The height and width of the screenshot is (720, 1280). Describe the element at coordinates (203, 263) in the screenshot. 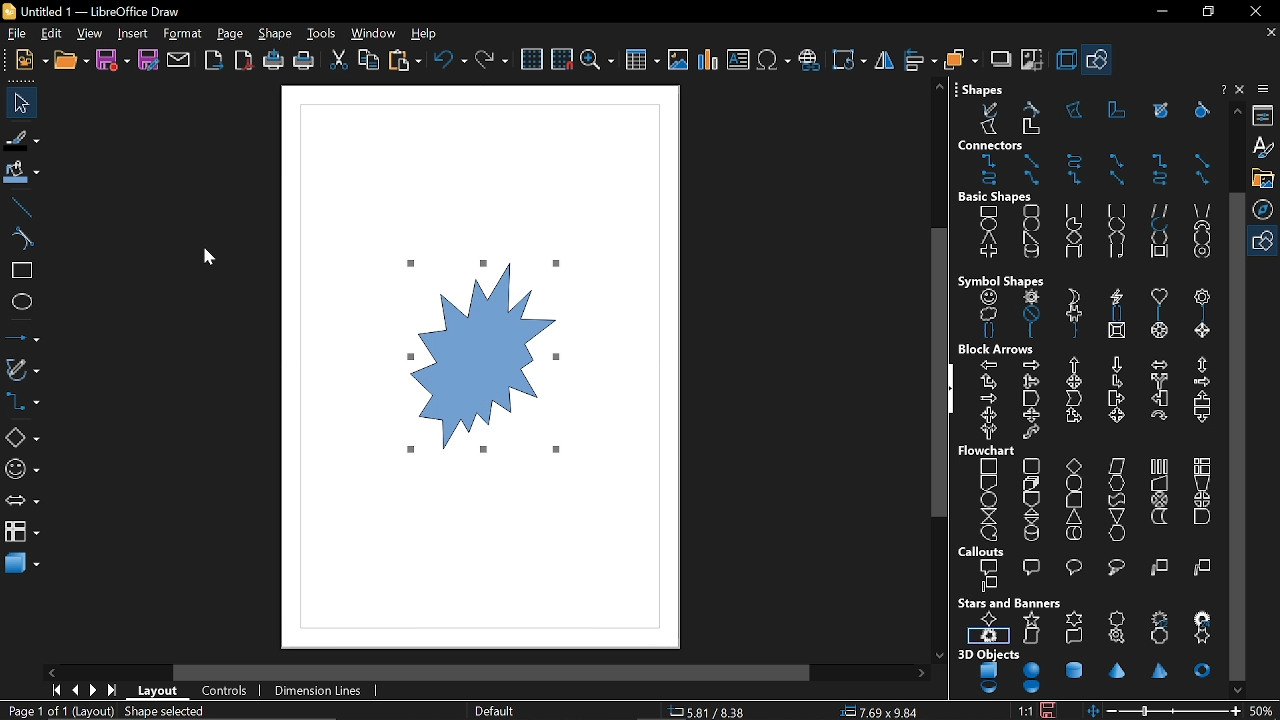

I see `Cursor` at that location.